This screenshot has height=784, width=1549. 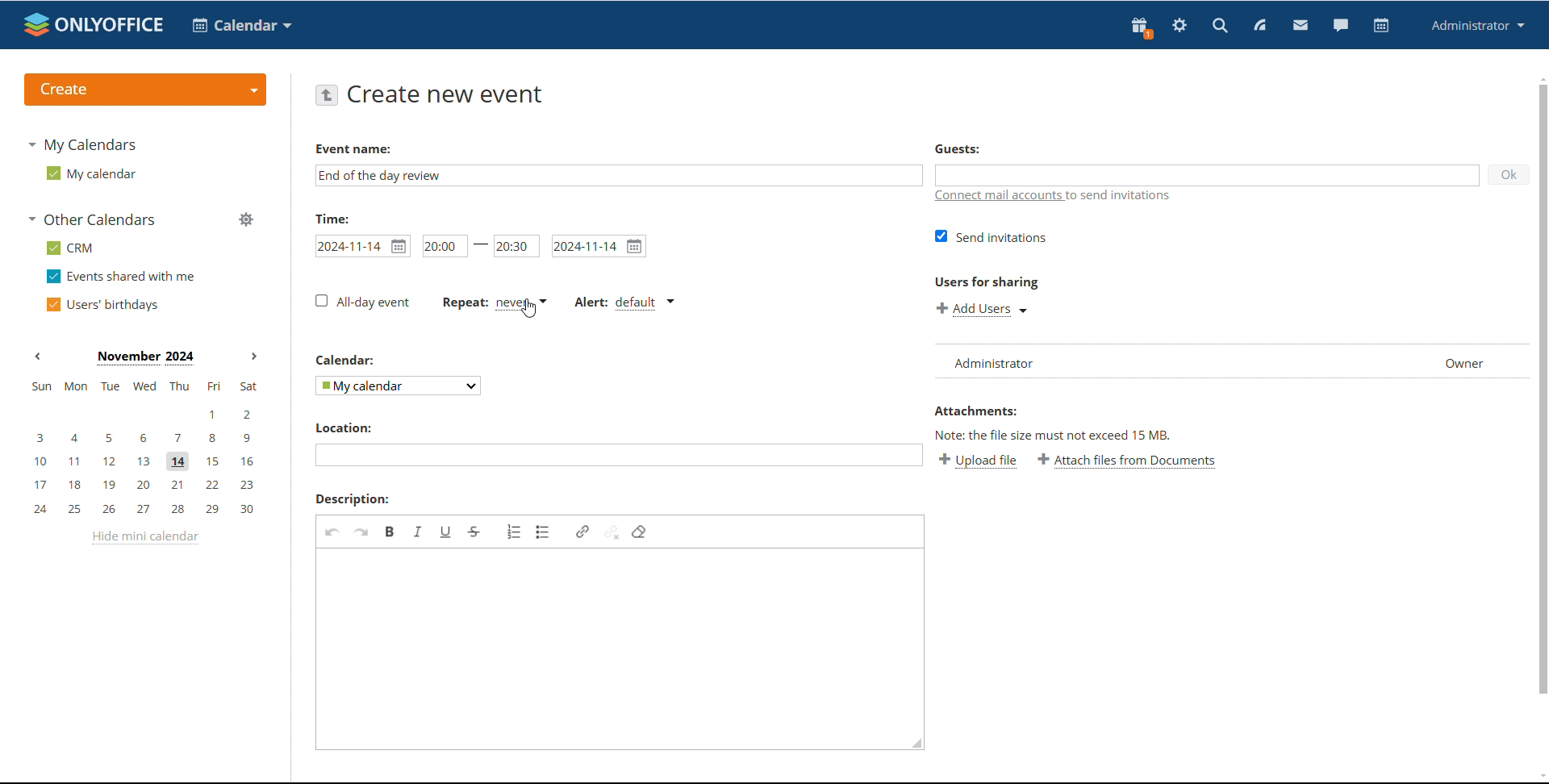 I want to click on italic, so click(x=418, y=531).